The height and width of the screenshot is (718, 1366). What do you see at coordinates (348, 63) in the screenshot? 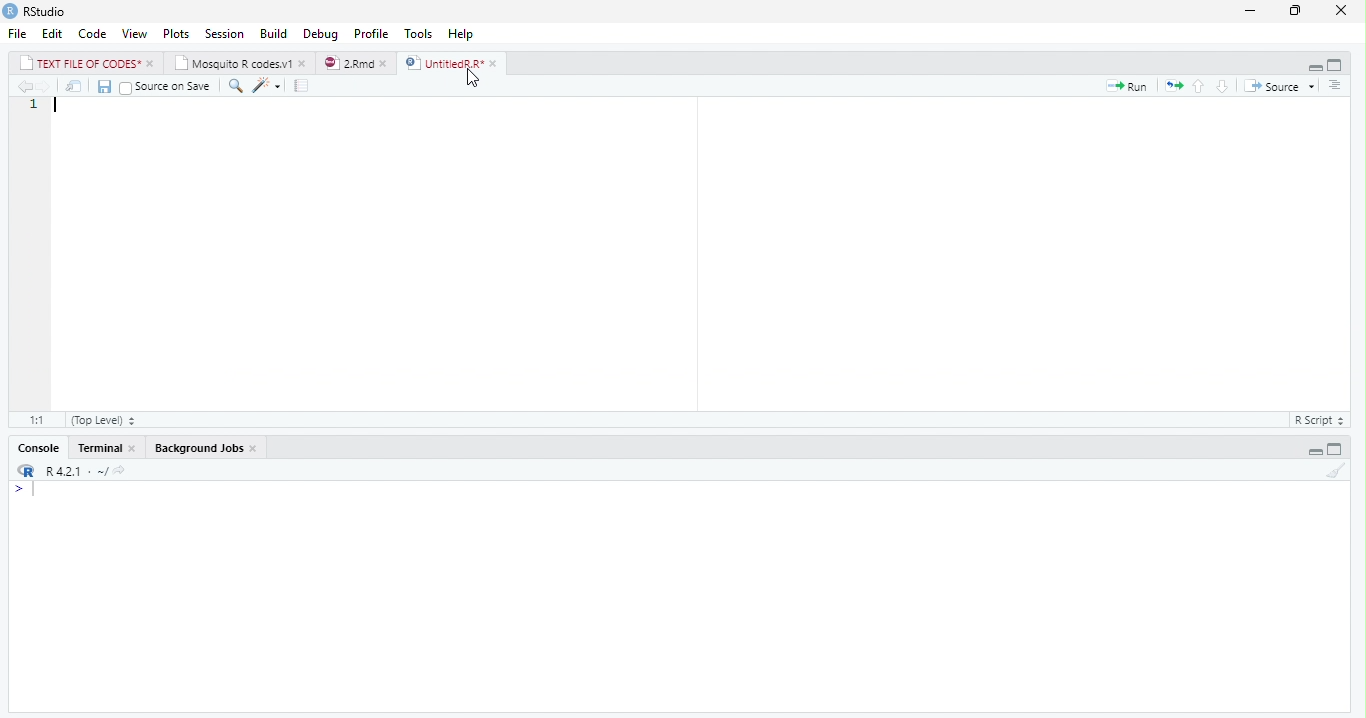
I see `2.Rmd` at bounding box center [348, 63].